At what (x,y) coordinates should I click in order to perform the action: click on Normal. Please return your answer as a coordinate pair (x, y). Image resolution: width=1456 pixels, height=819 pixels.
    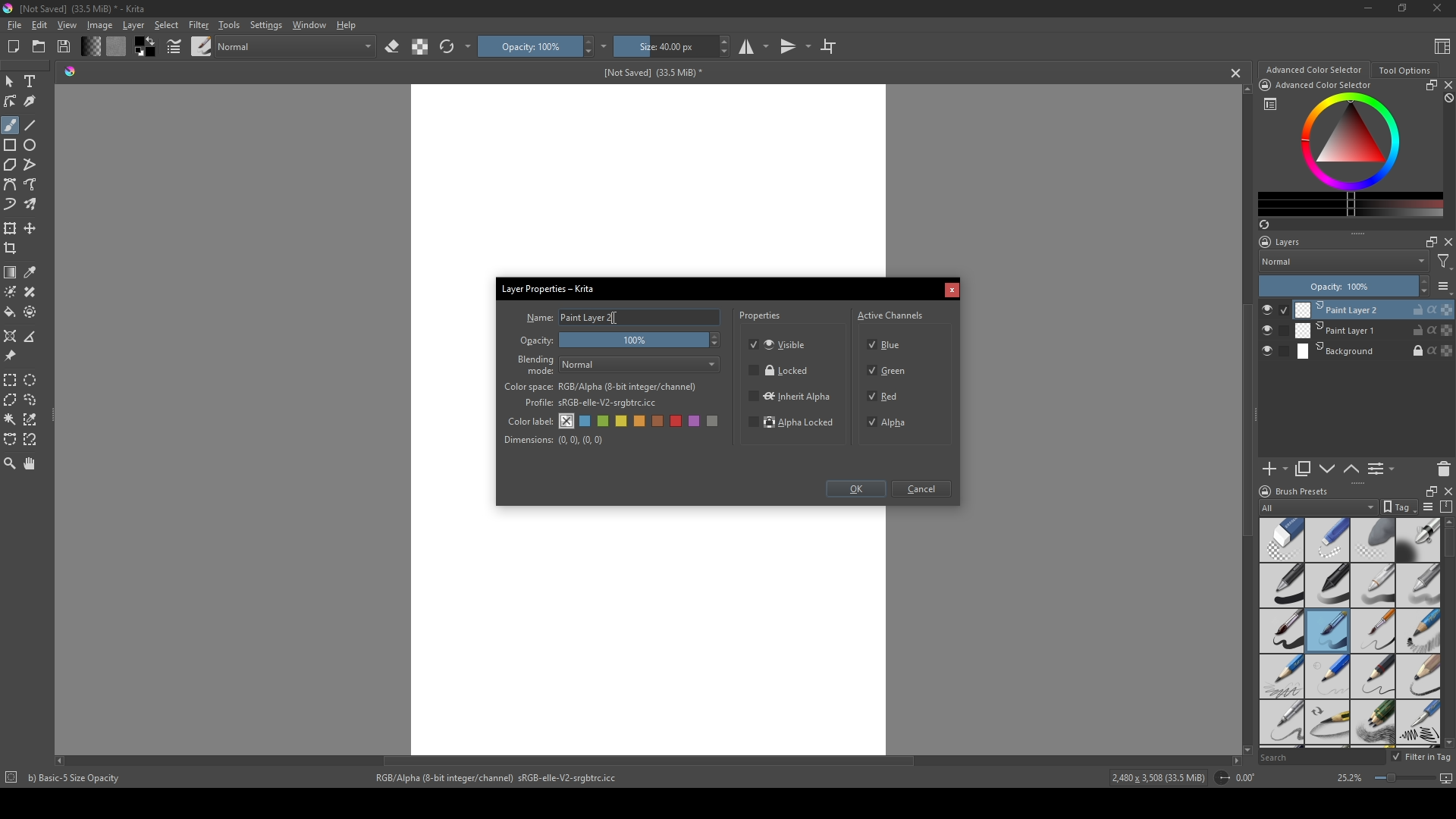
    Looking at the image, I should click on (1344, 261).